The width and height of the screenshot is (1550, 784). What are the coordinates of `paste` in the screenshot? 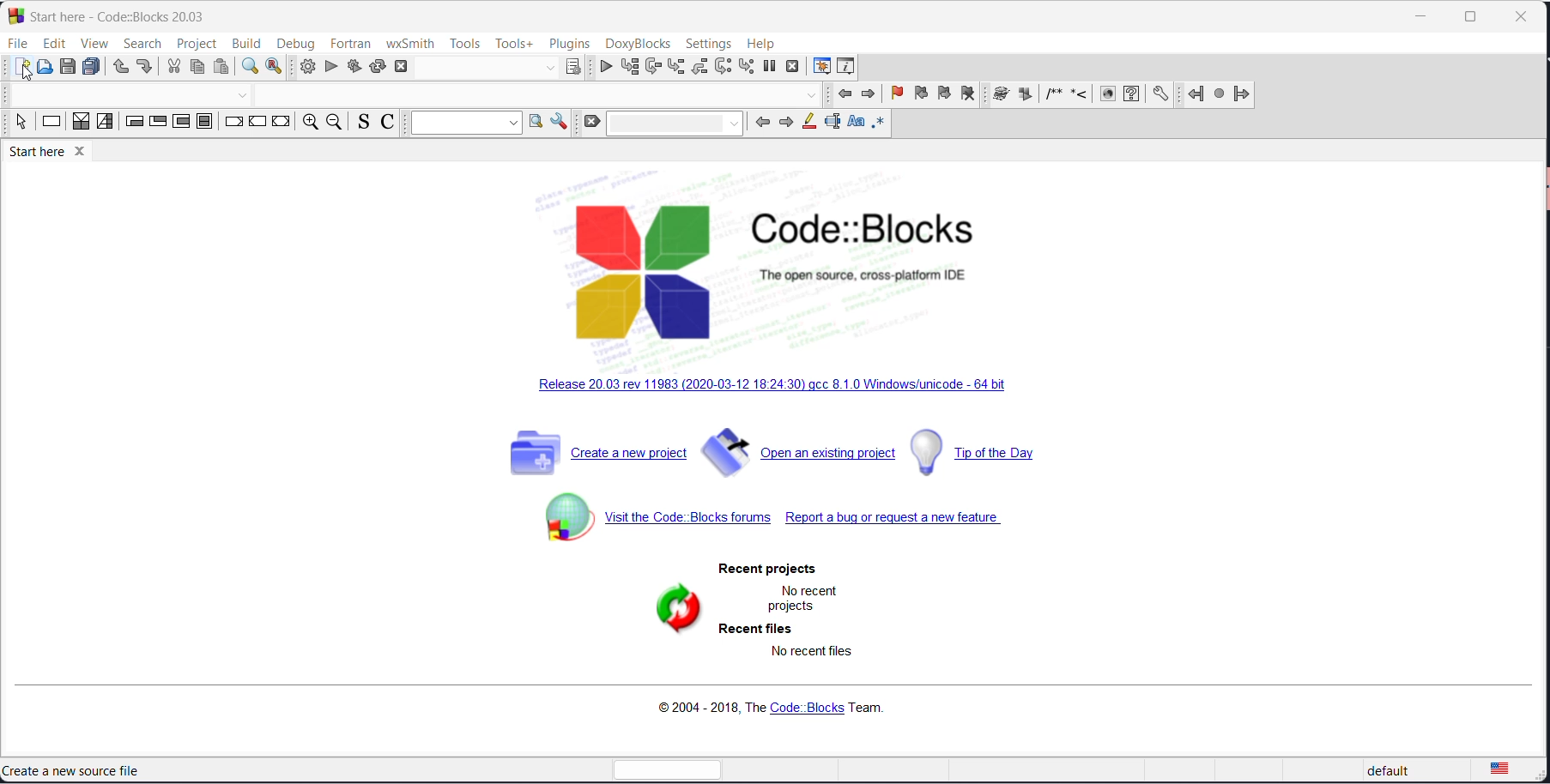 It's located at (223, 66).